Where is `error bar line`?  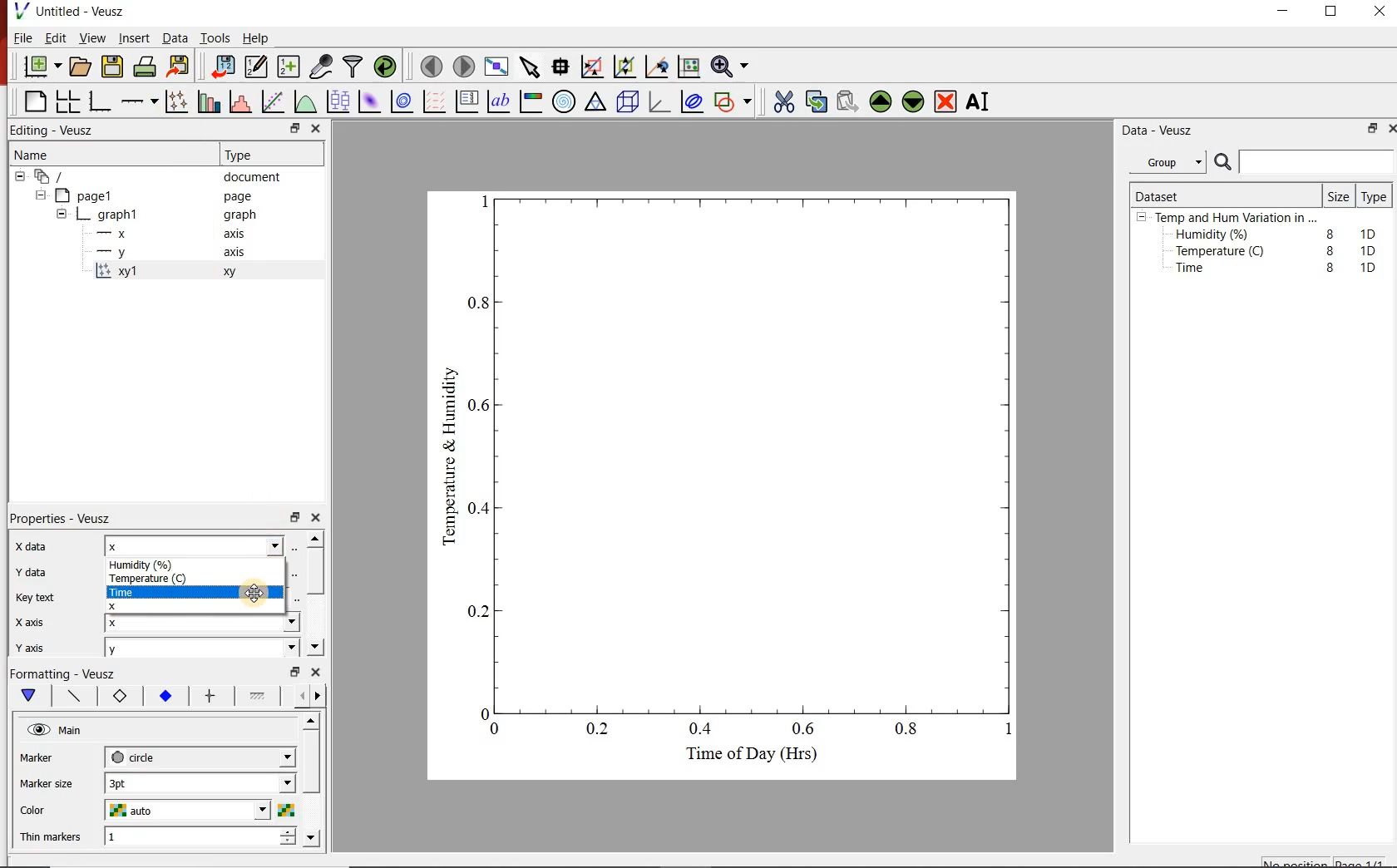 error bar line is located at coordinates (210, 695).